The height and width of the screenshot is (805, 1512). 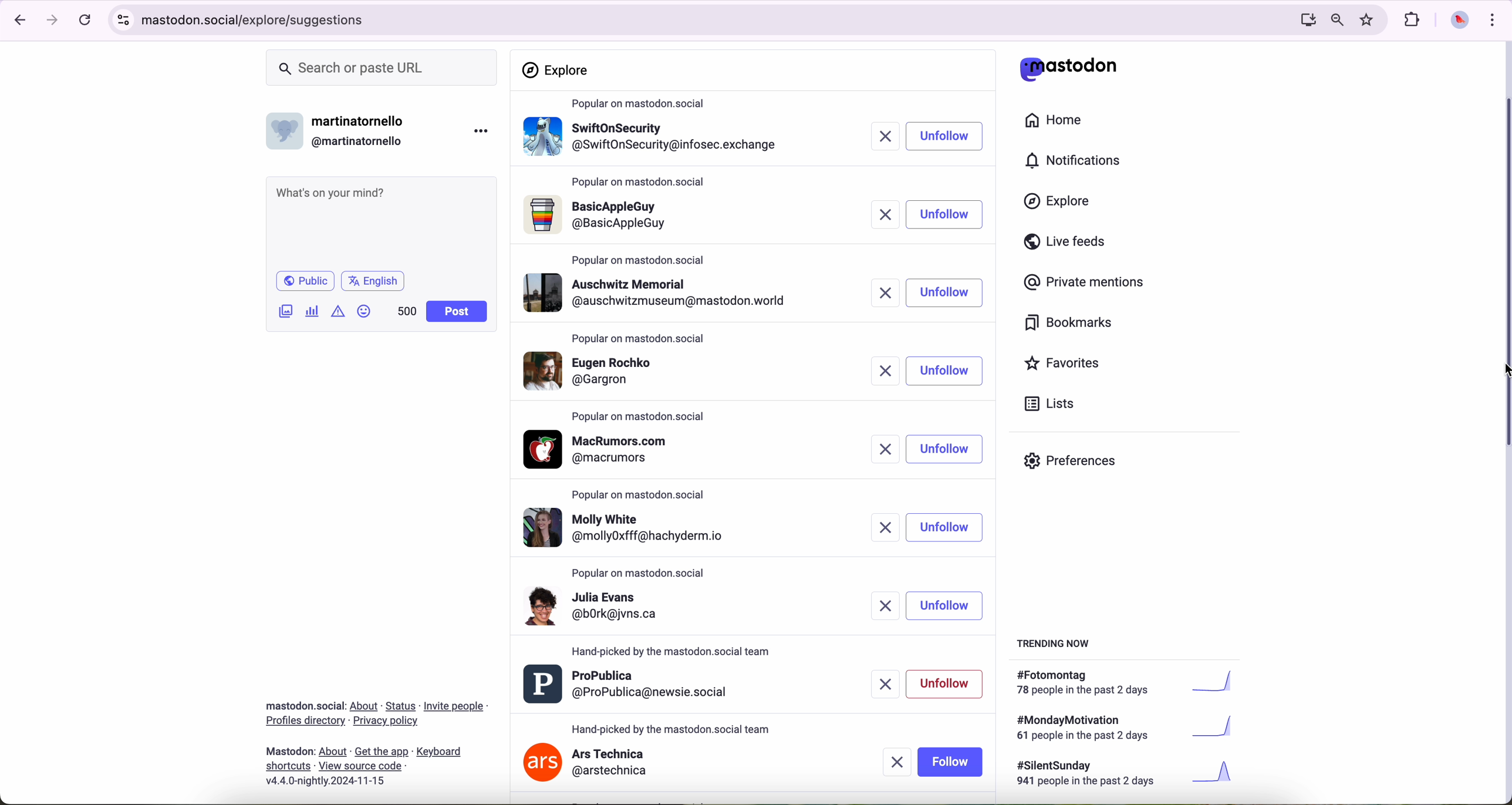 What do you see at coordinates (341, 128) in the screenshot?
I see `username` at bounding box center [341, 128].